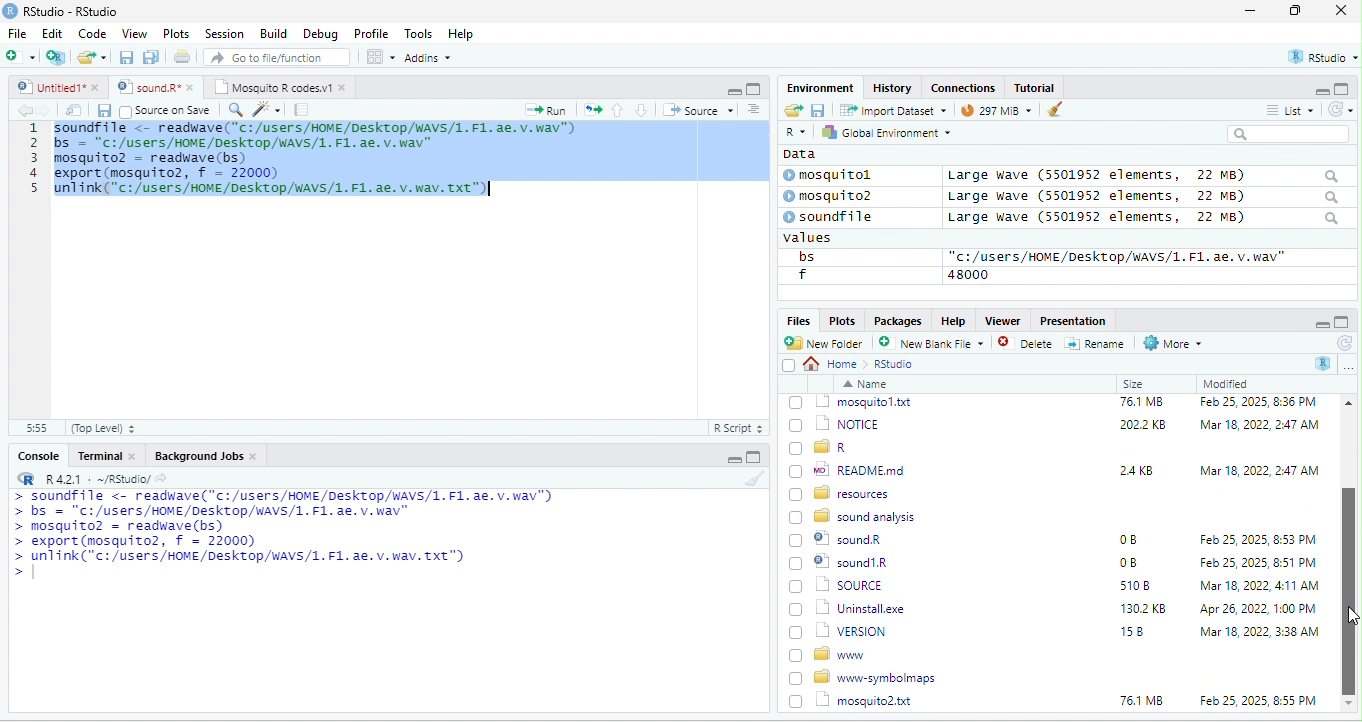 Image resolution: width=1362 pixels, height=722 pixels. Describe the element at coordinates (965, 86) in the screenshot. I see `clases` at that location.